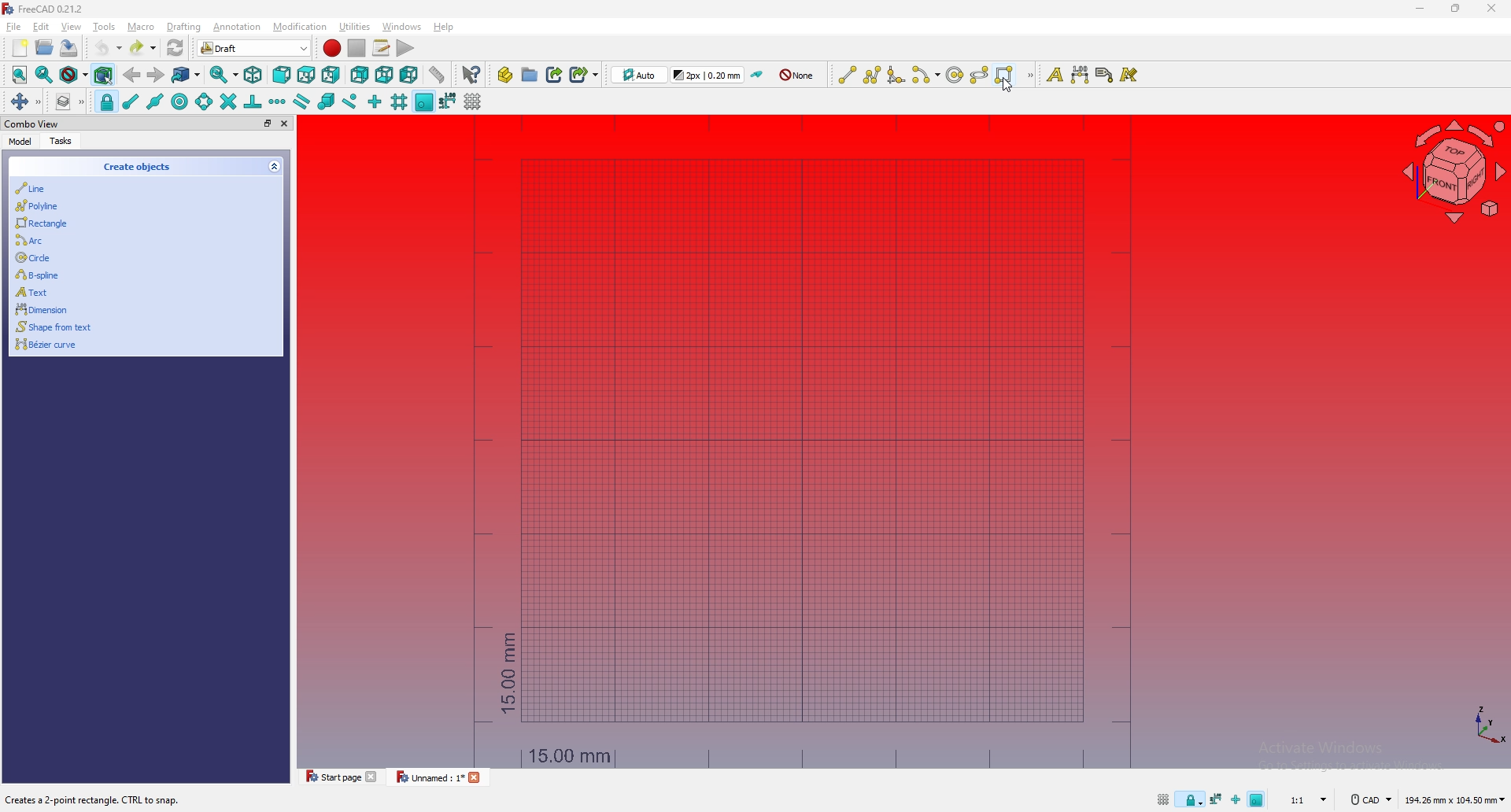 The image size is (1511, 812). What do you see at coordinates (105, 27) in the screenshot?
I see `tools` at bounding box center [105, 27].